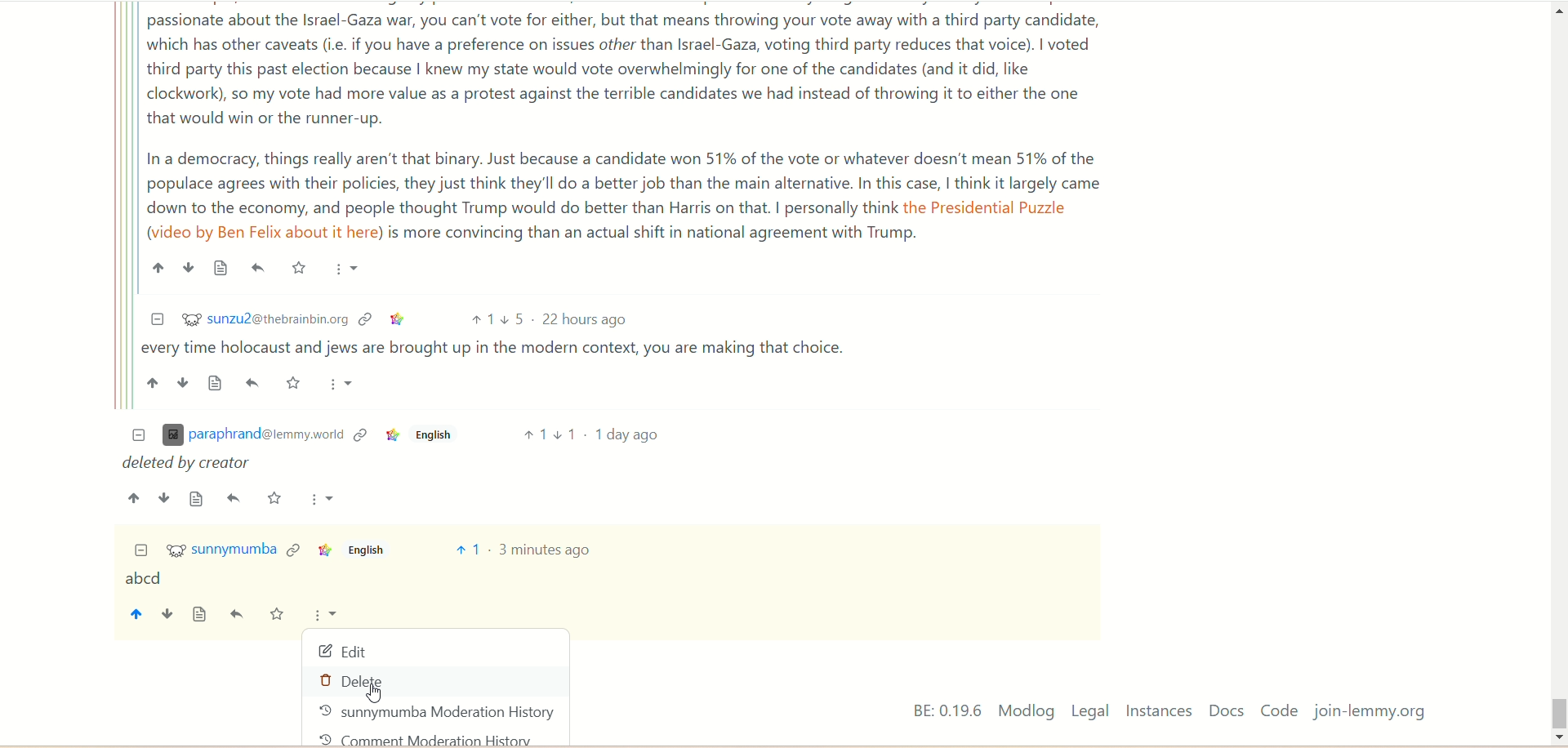 The height and width of the screenshot is (748, 1568). What do you see at coordinates (344, 652) in the screenshot?
I see `edit` at bounding box center [344, 652].